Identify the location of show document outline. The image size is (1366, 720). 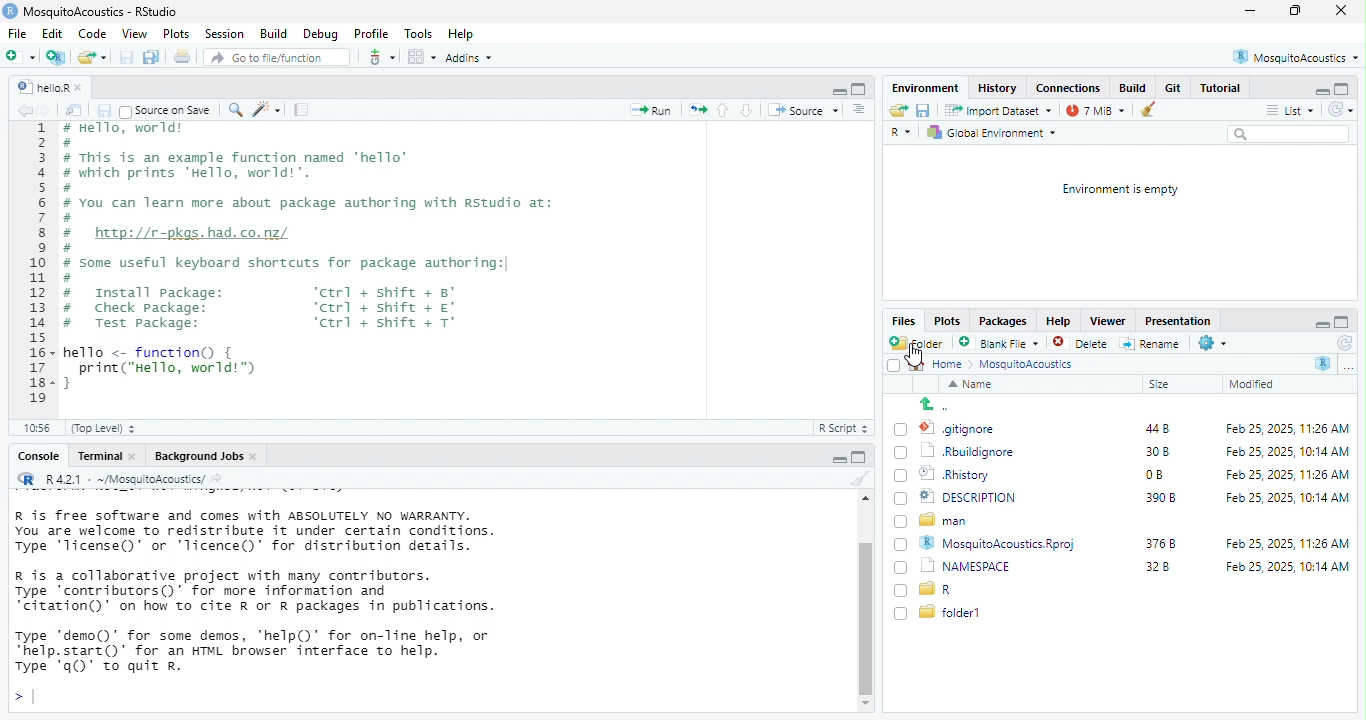
(861, 111).